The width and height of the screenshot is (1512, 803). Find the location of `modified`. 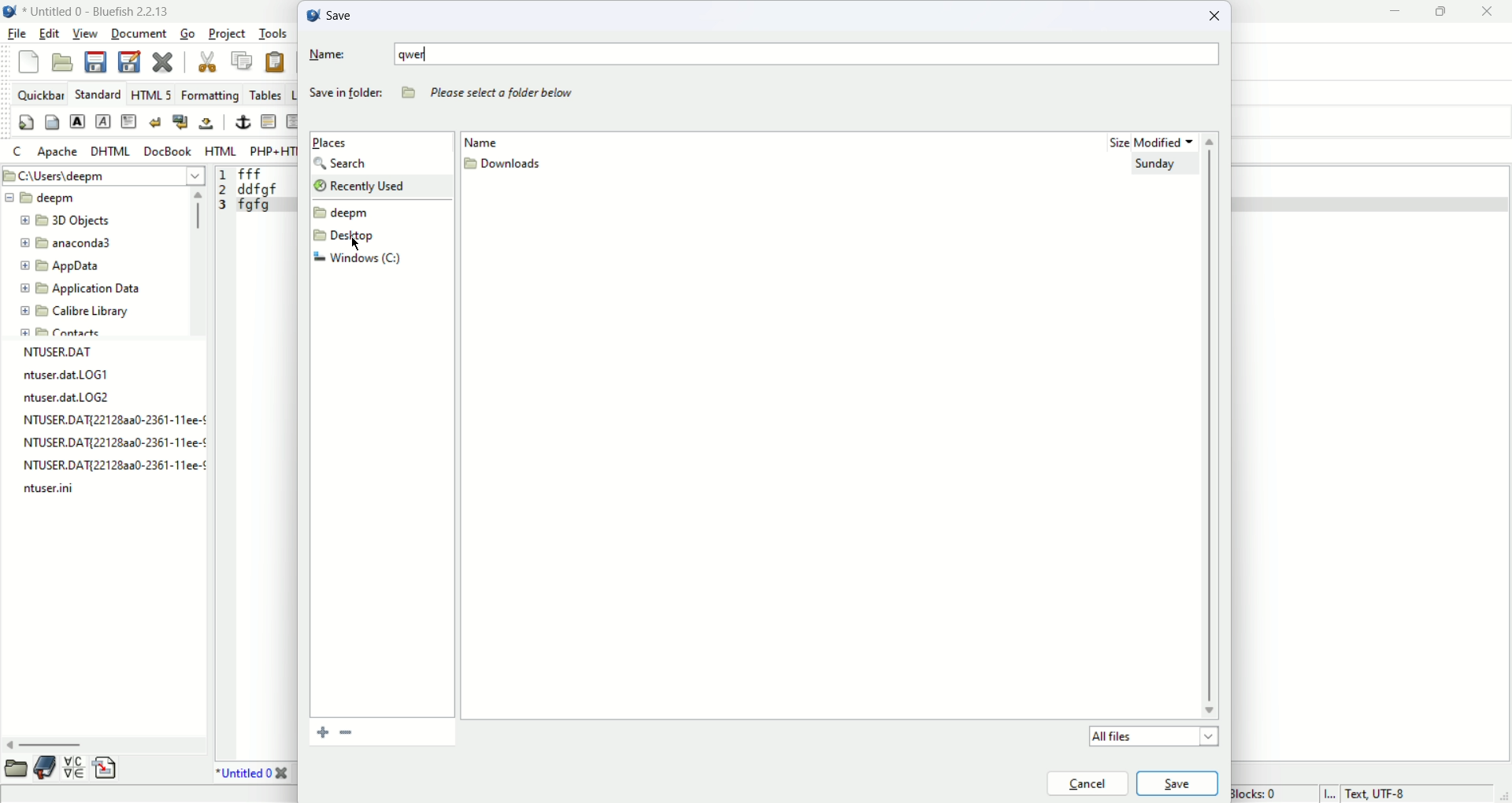

modified is located at coordinates (1169, 139).